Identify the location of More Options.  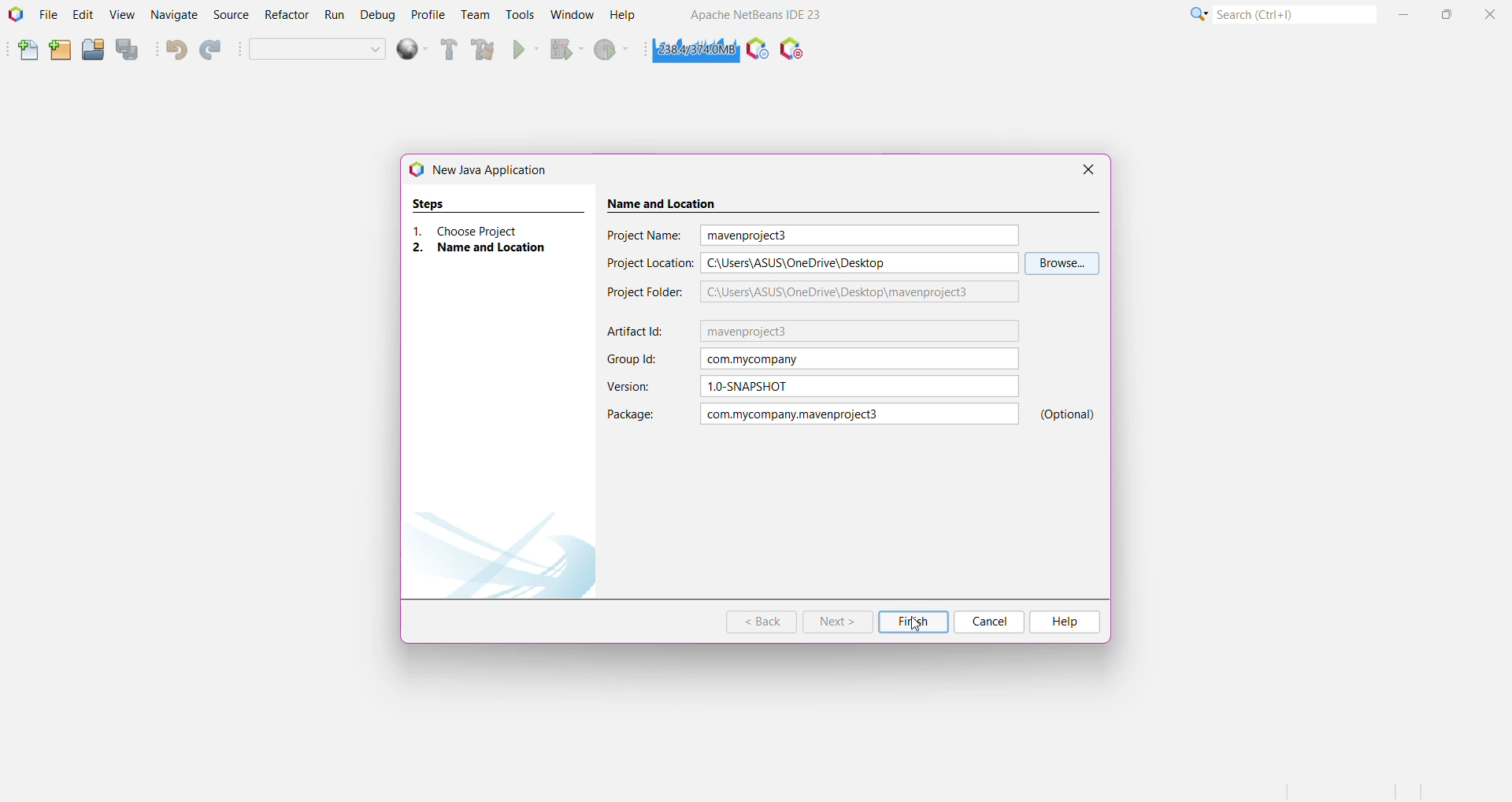
(1197, 17).